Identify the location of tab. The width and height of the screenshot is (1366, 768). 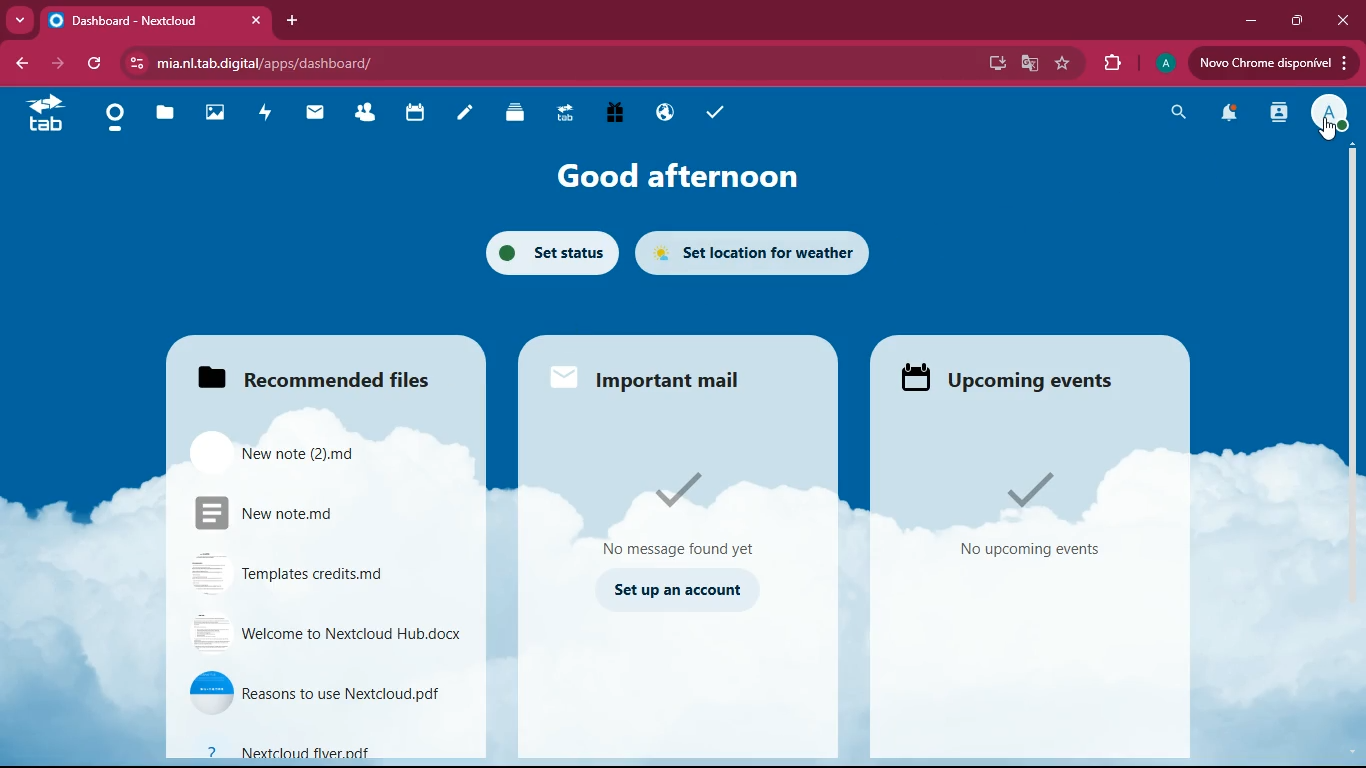
(562, 116).